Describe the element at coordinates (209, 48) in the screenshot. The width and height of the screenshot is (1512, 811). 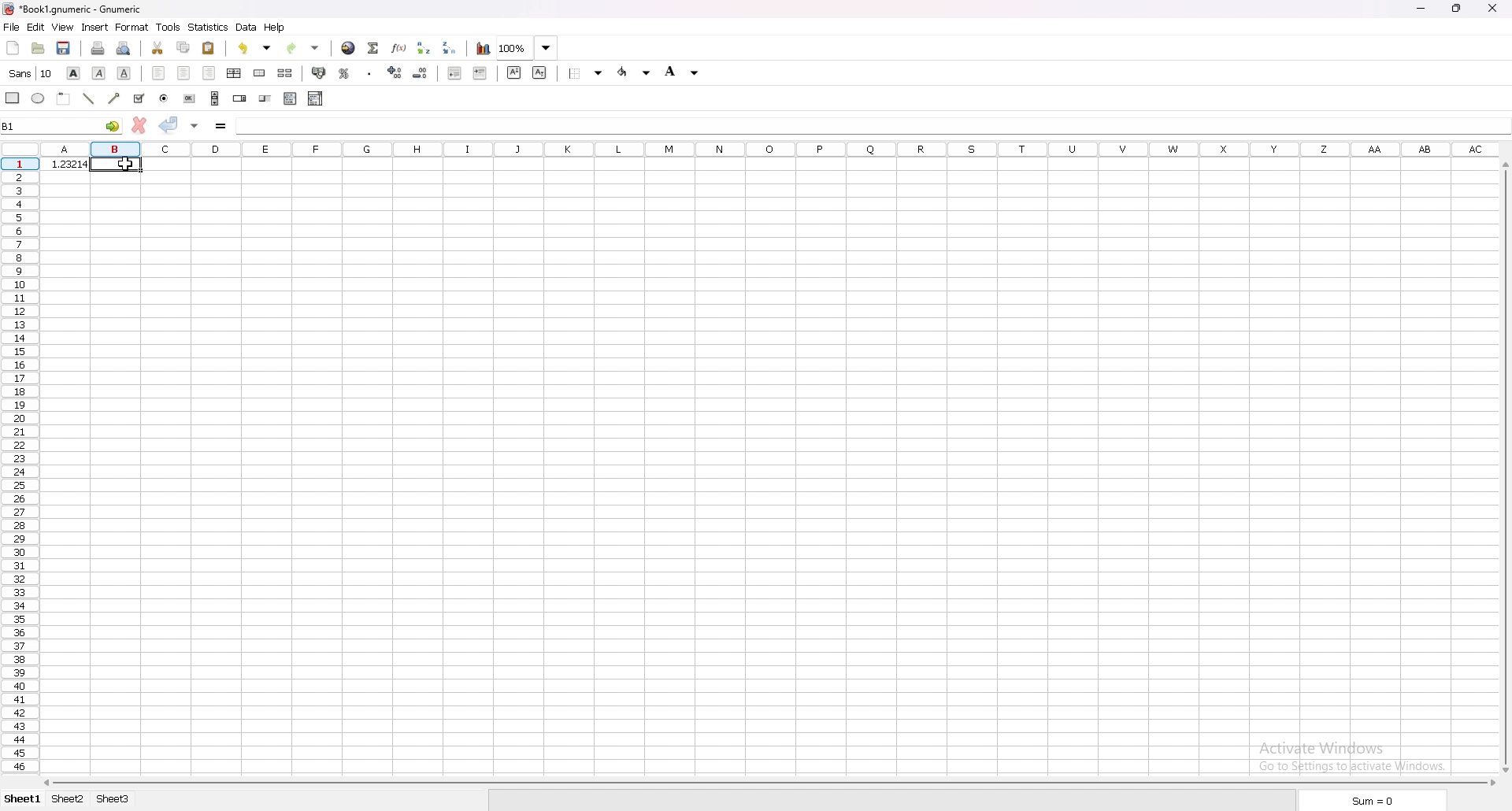
I see `paste` at that location.